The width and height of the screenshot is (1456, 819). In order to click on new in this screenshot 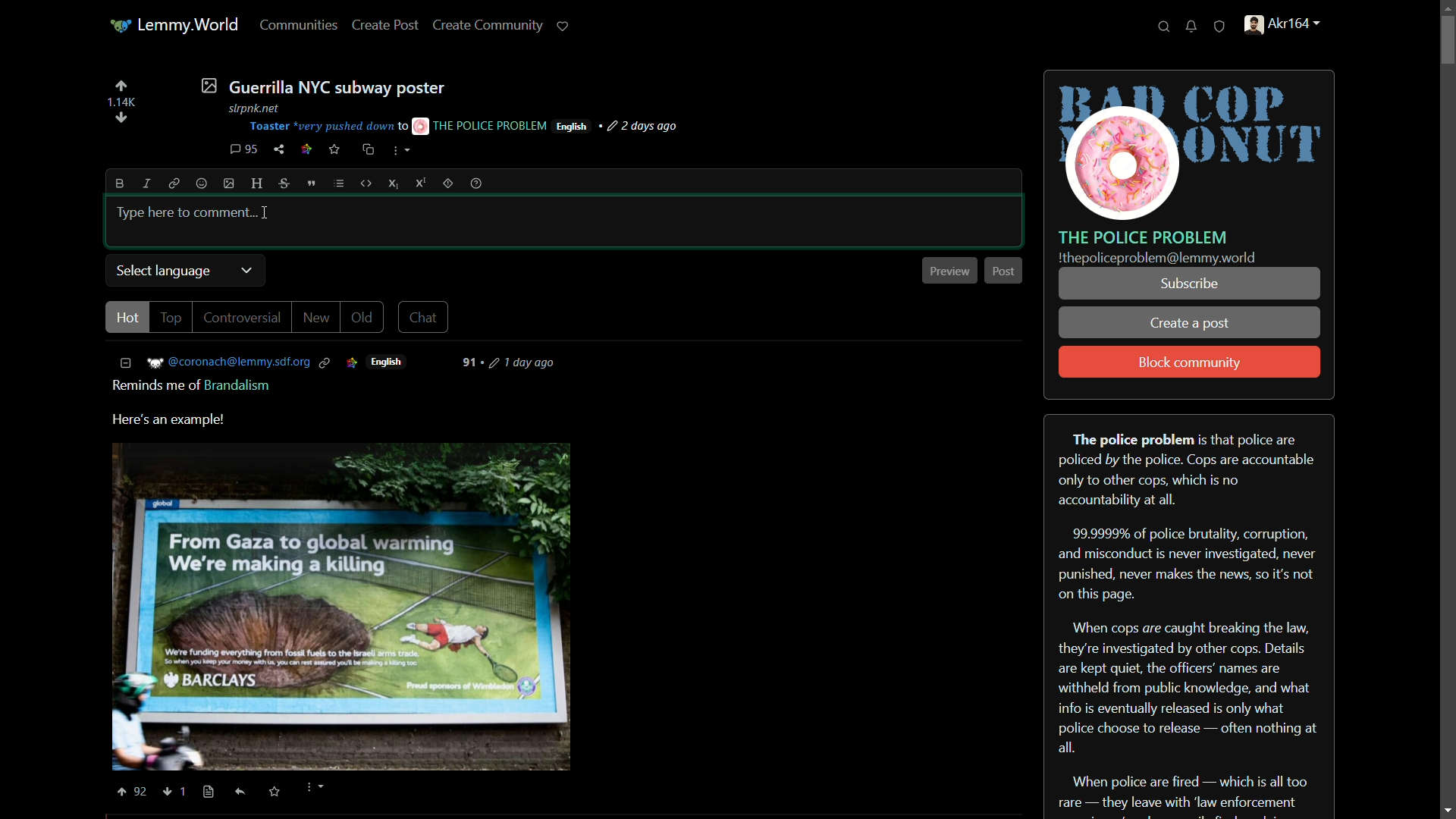, I will do `click(315, 317)`.